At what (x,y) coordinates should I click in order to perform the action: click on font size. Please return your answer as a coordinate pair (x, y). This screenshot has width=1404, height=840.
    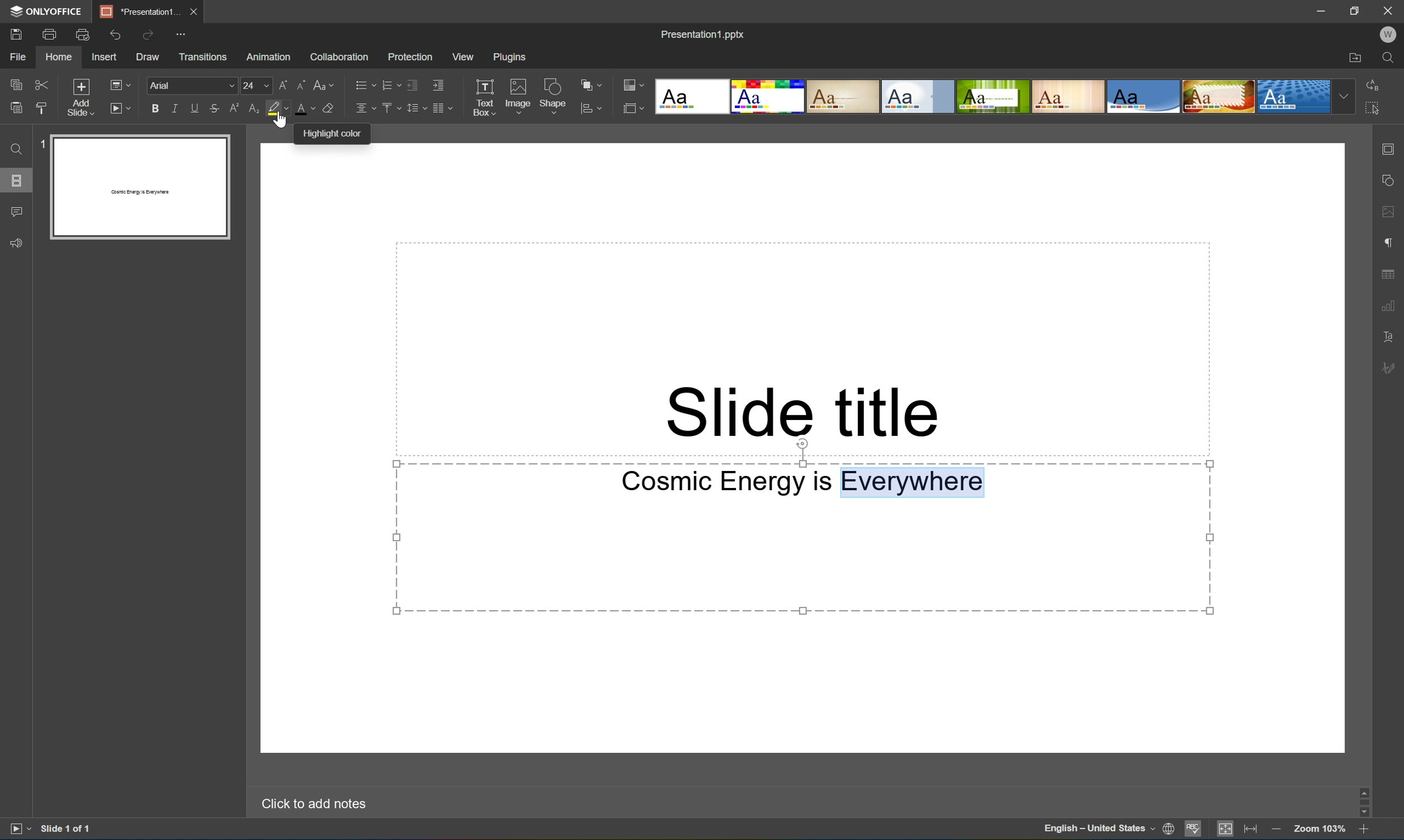
    Looking at the image, I should click on (254, 83).